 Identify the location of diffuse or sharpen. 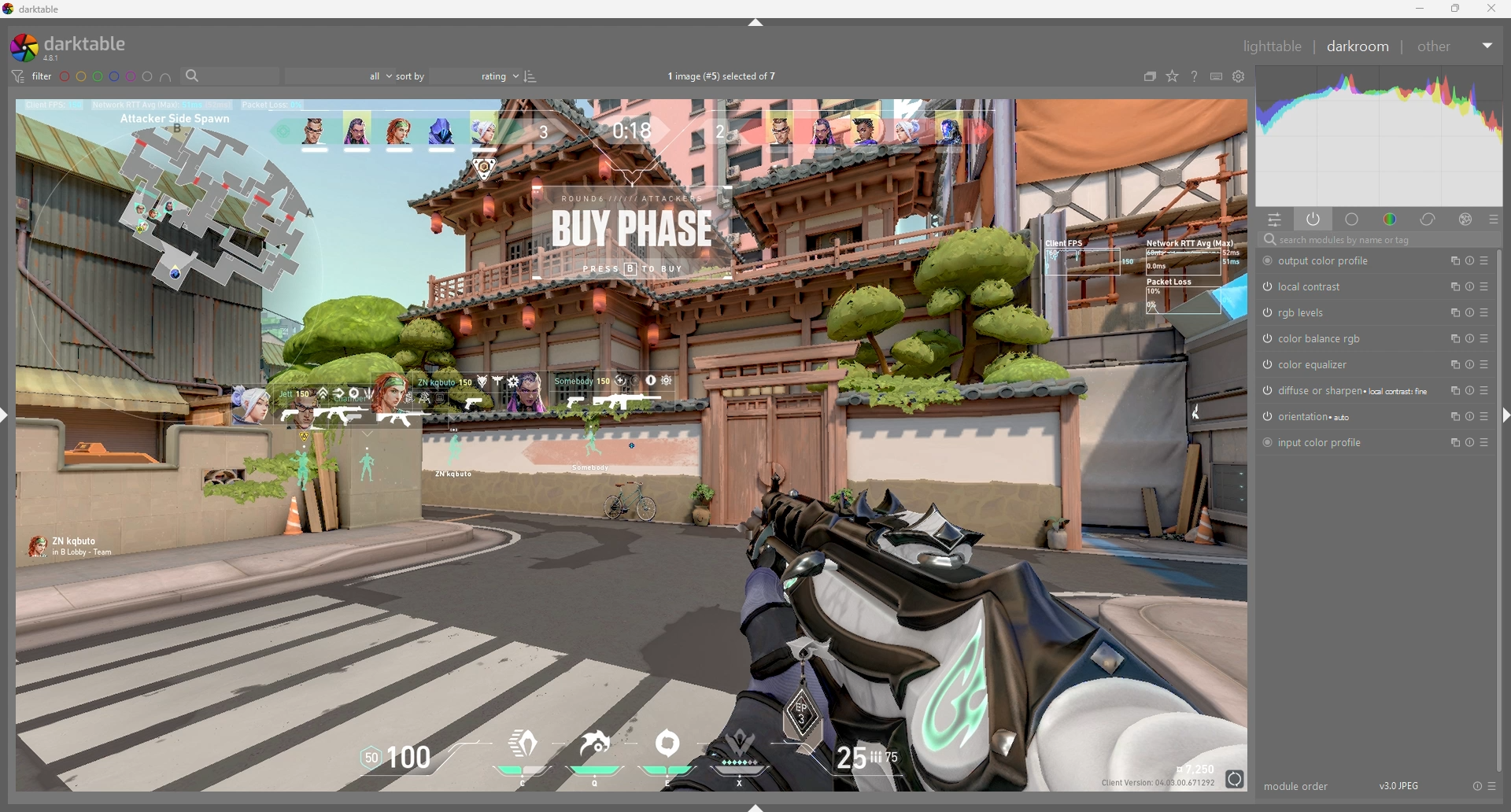
(1343, 391).